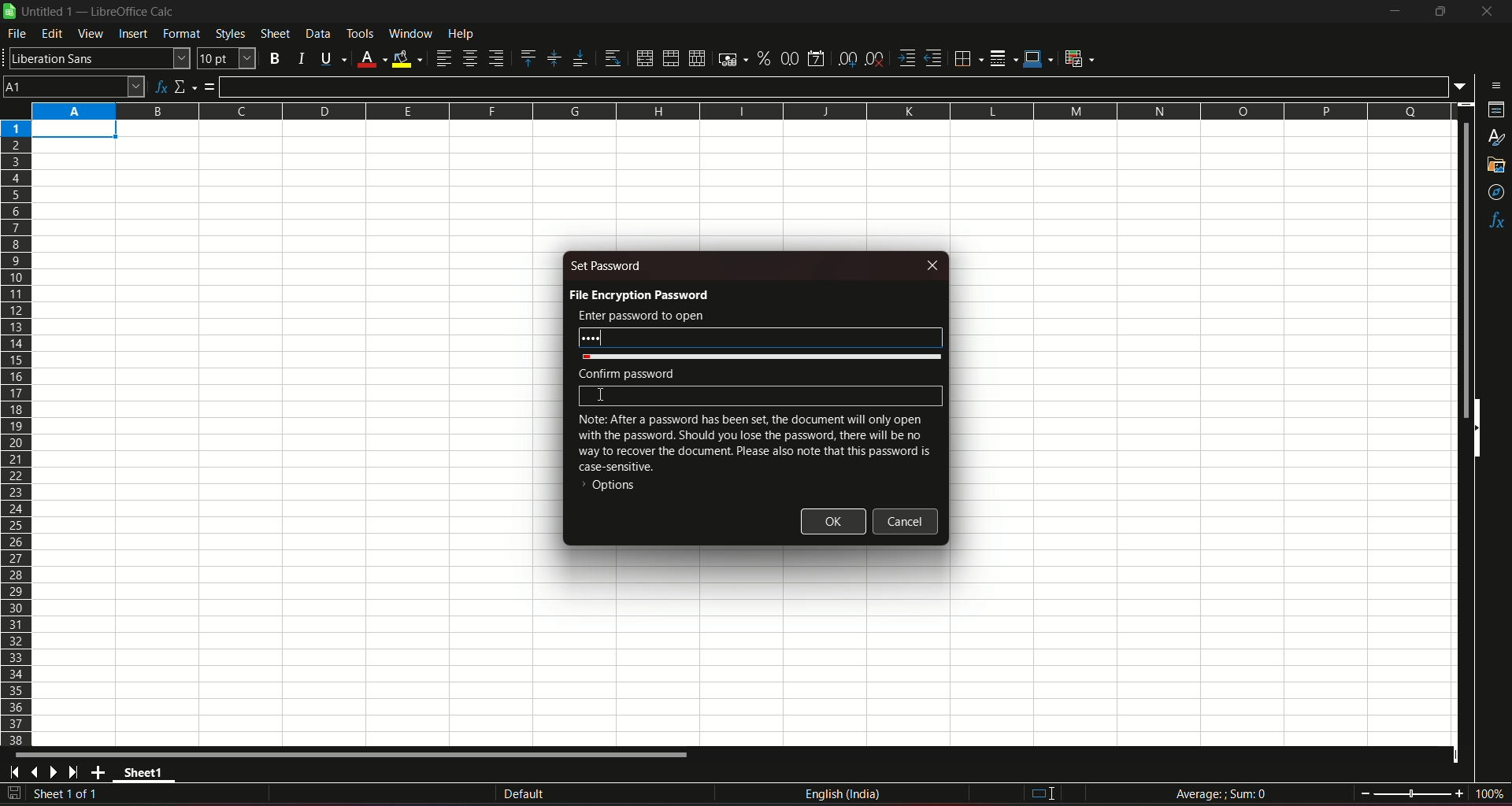 The width and height of the screenshot is (1512, 806). I want to click on format as date, so click(818, 57).